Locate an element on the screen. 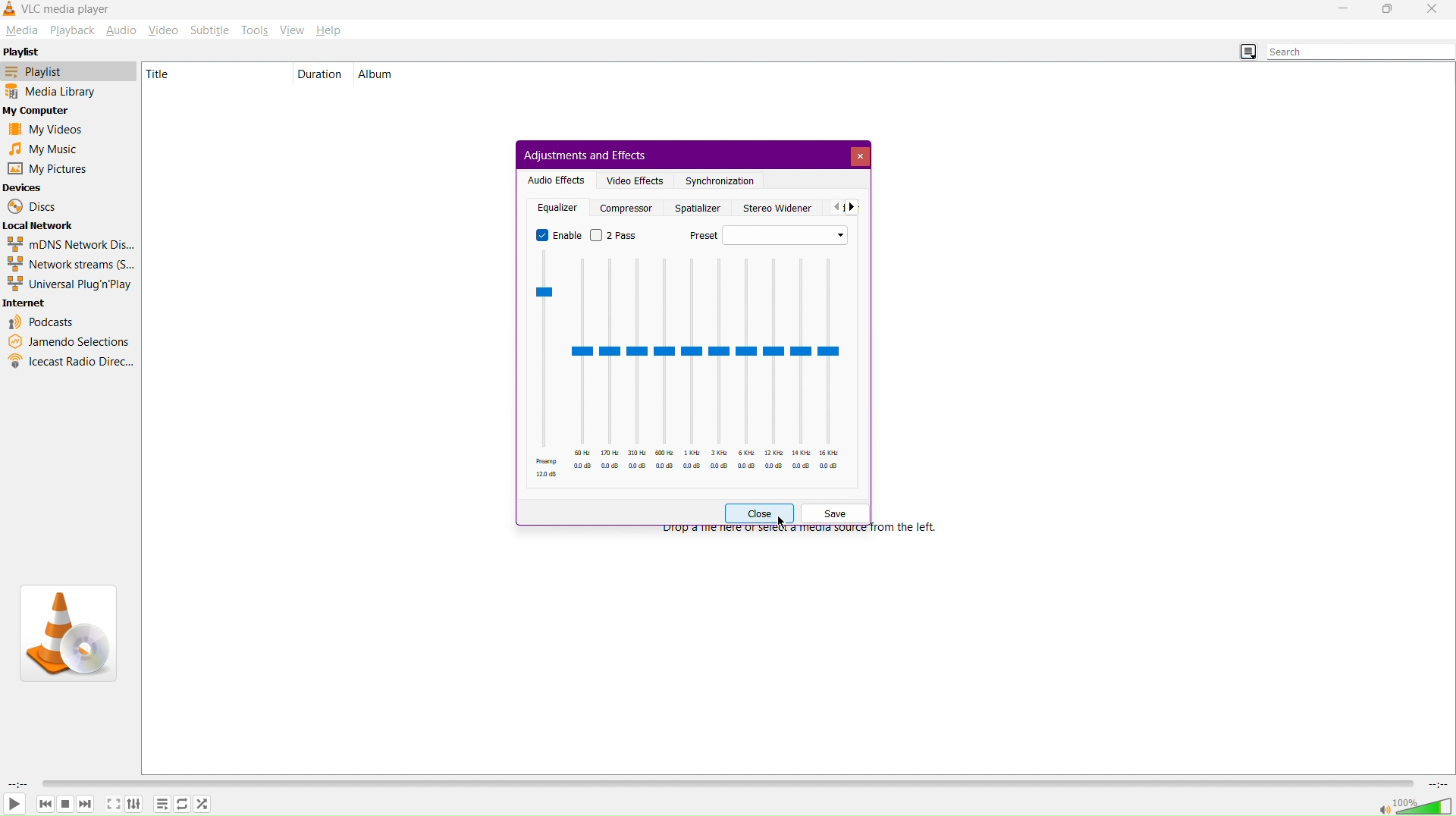  Icecast Radio Directory is located at coordinates (71, 364).